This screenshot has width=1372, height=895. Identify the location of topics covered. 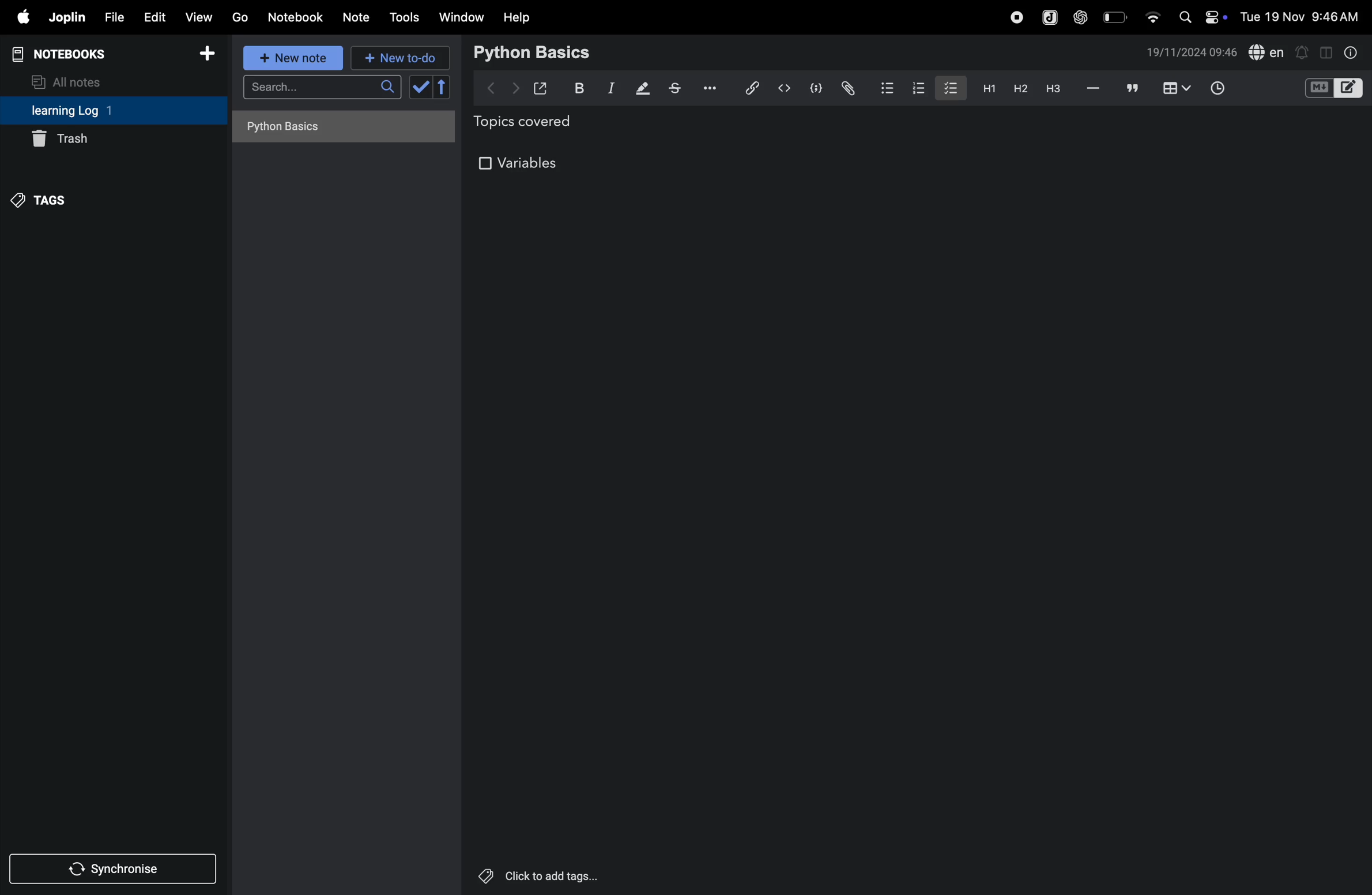
(536, 123).